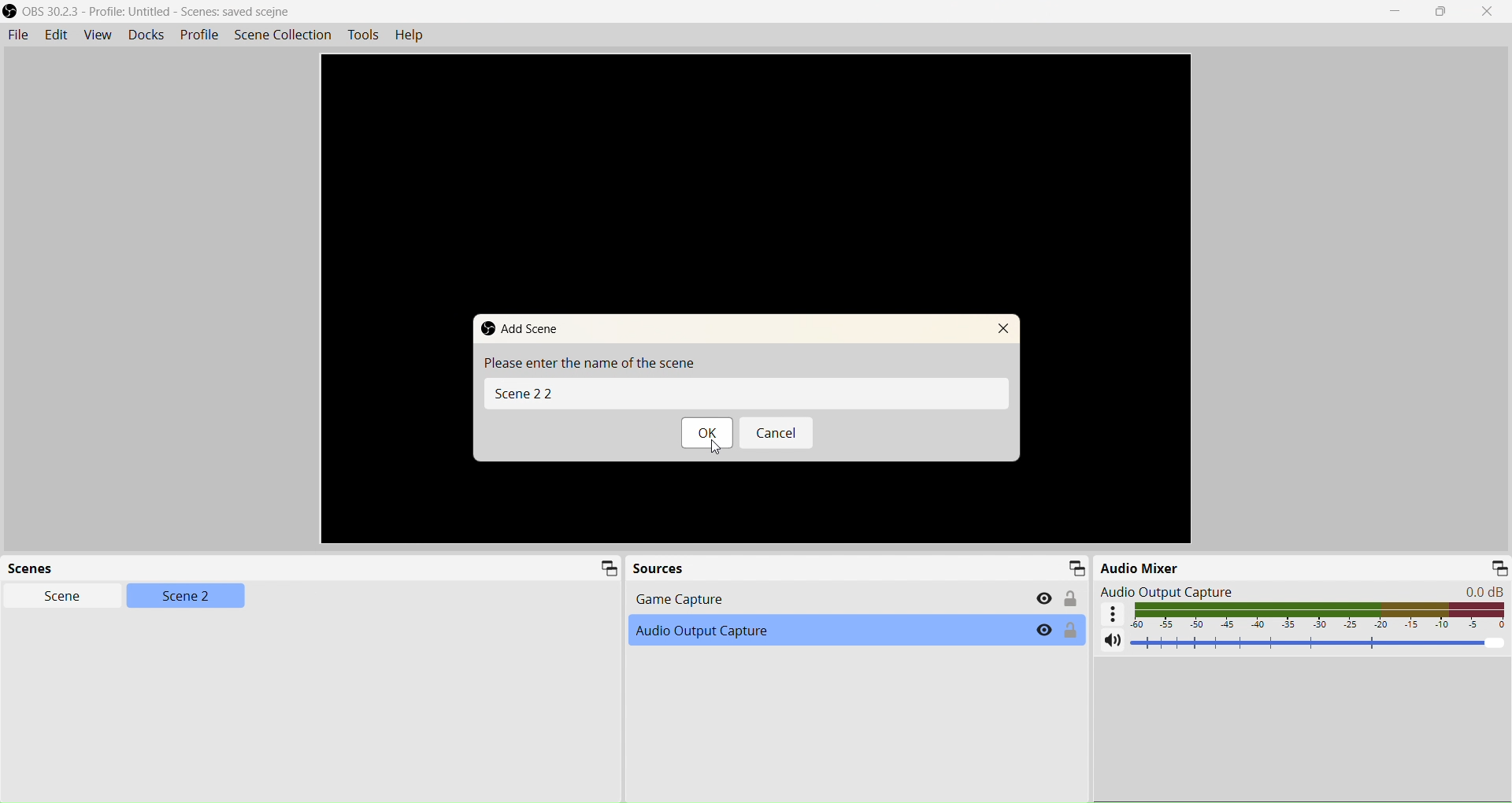  Describe the element at coordinates (146, 34) in the screenshot. I see `Docks` at that location.